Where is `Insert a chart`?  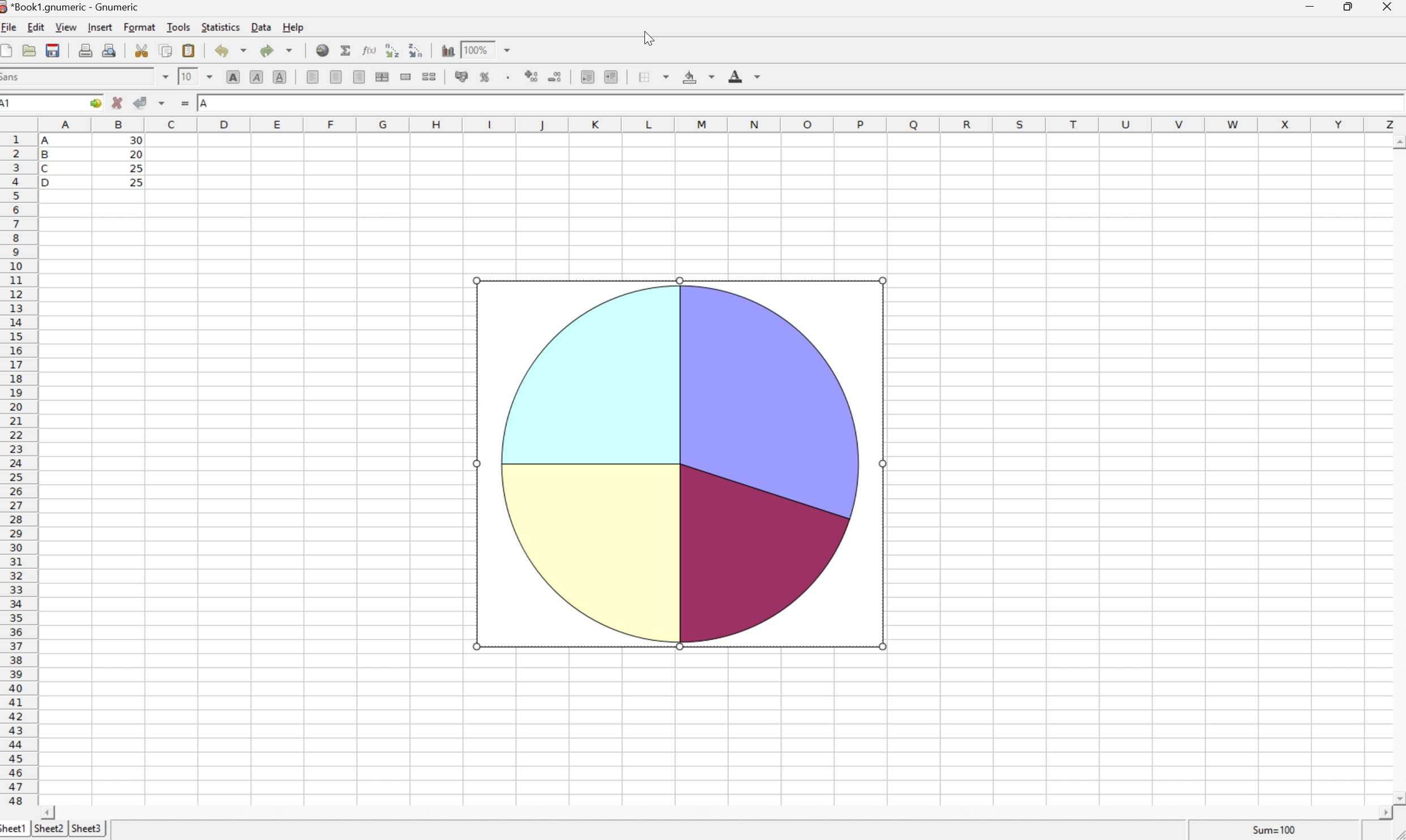
Insert a chart is located at coordinates (447, 48).